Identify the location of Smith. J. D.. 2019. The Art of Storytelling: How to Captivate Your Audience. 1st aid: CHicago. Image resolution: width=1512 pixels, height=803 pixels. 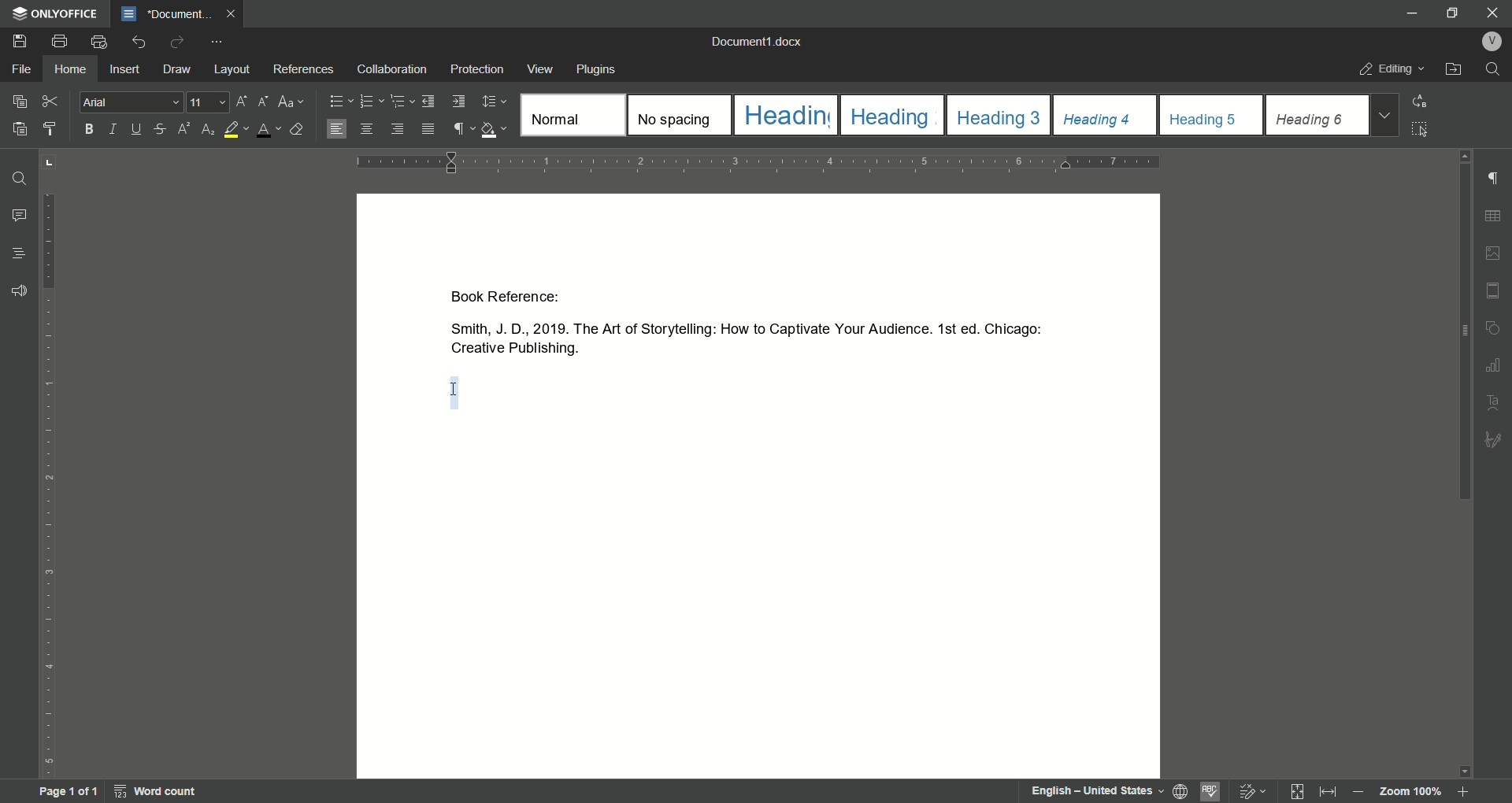
(740, 327).